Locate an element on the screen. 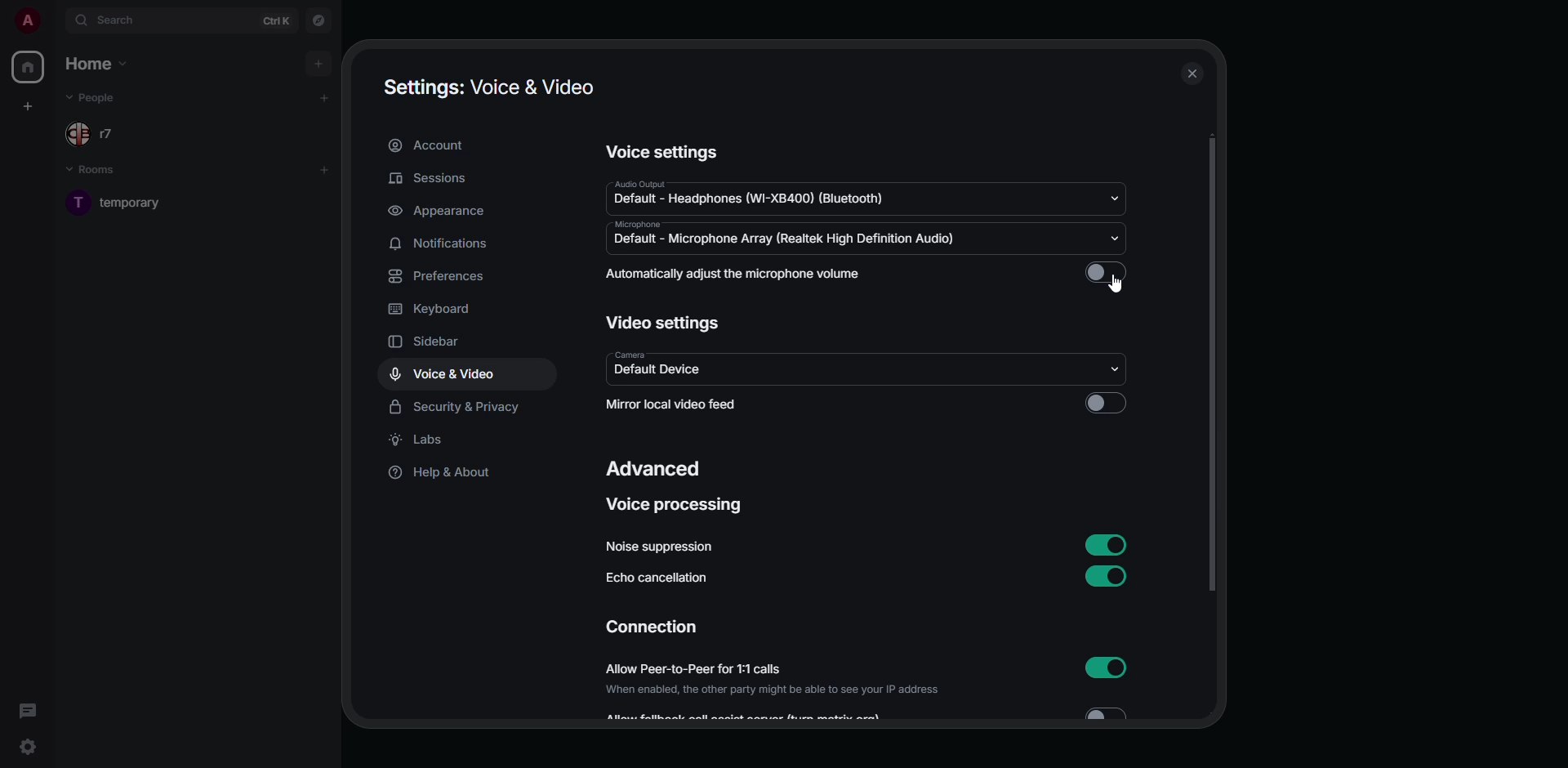  enabled is located at coordinates (1105, 667).